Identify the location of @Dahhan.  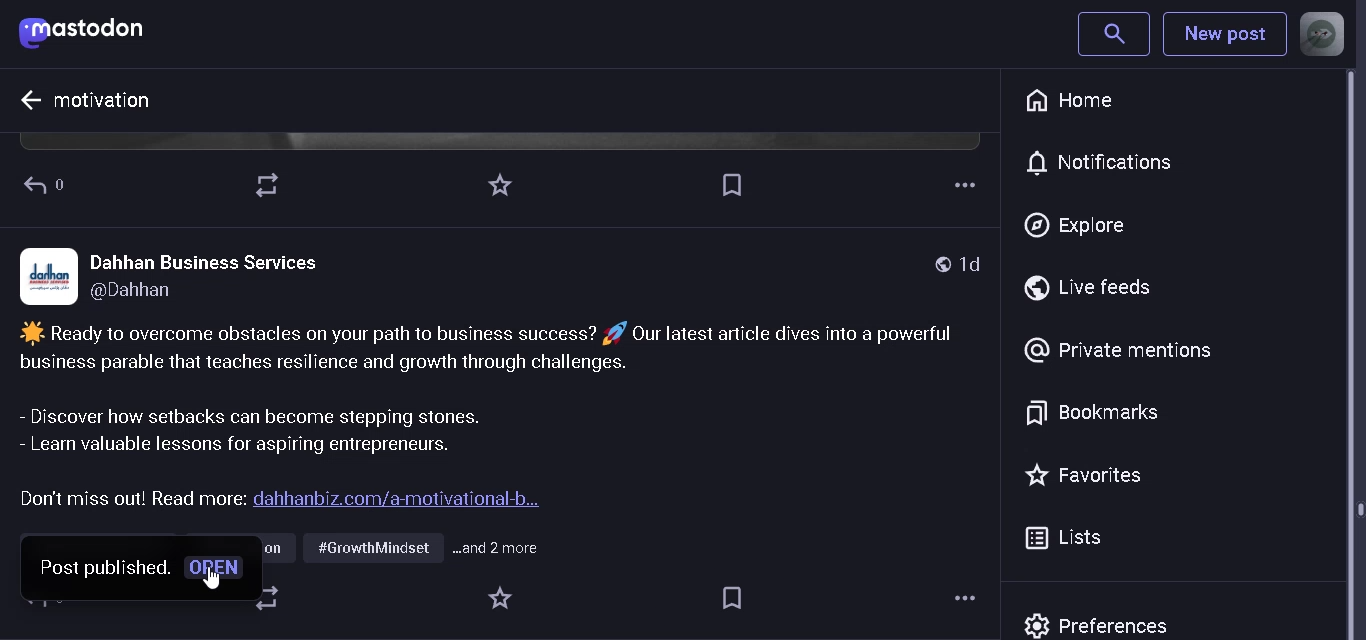
(150, 294).